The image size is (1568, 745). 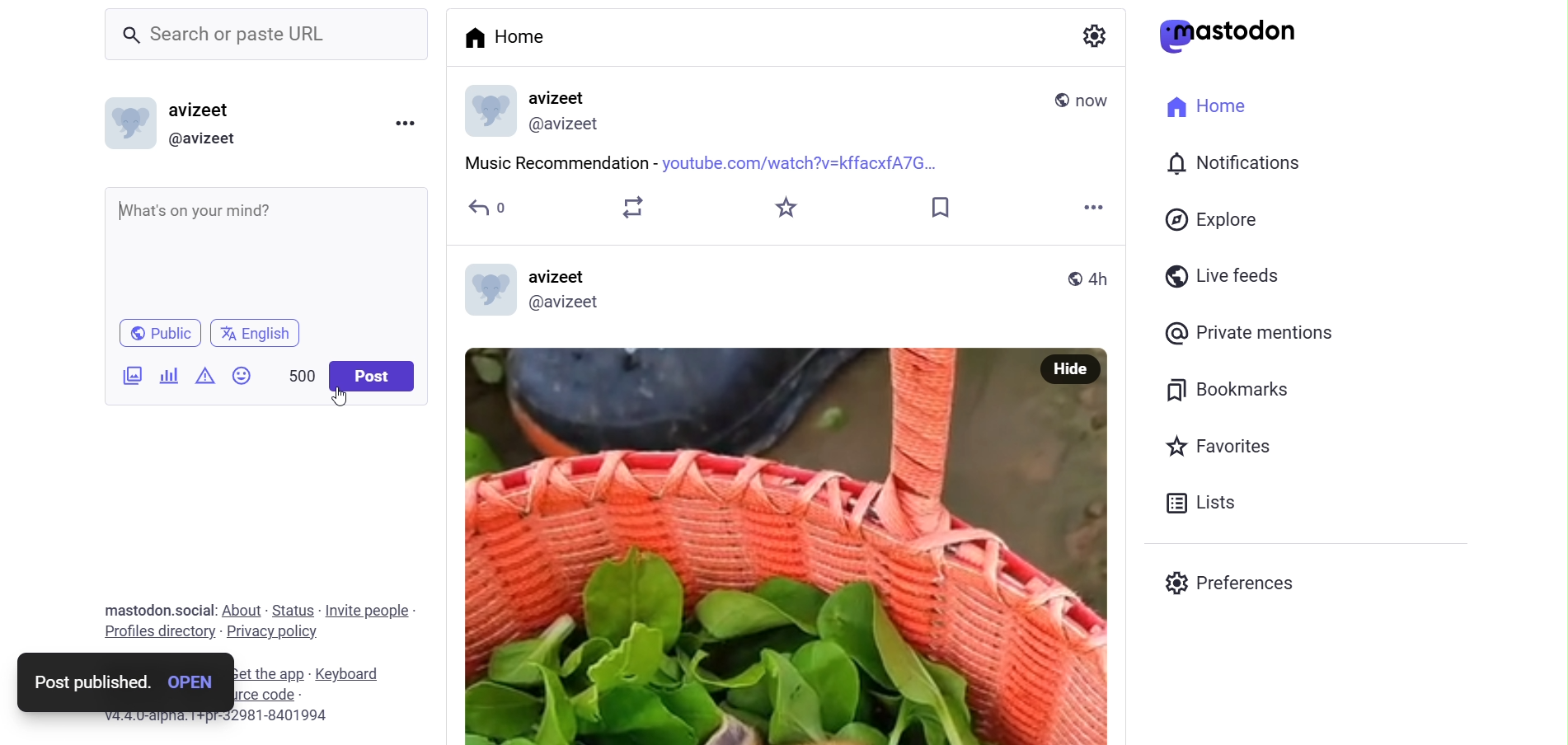 What do you see at coordinates (84, 682) in the screenshot?
I see `post published` at bounding box center [84, 682].